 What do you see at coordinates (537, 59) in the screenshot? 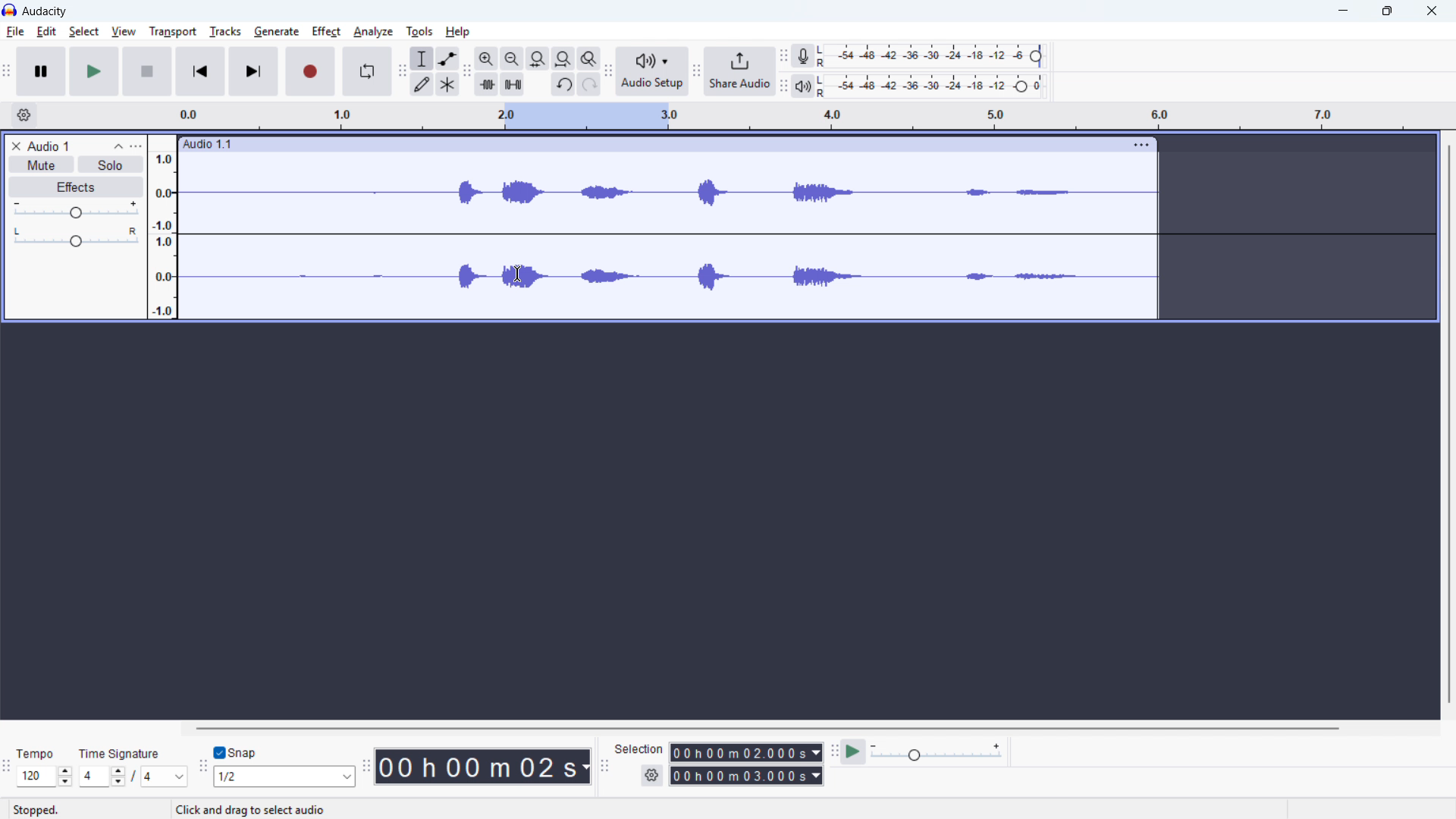
I see `Fit selection to width` at bounding box center [537, 59].